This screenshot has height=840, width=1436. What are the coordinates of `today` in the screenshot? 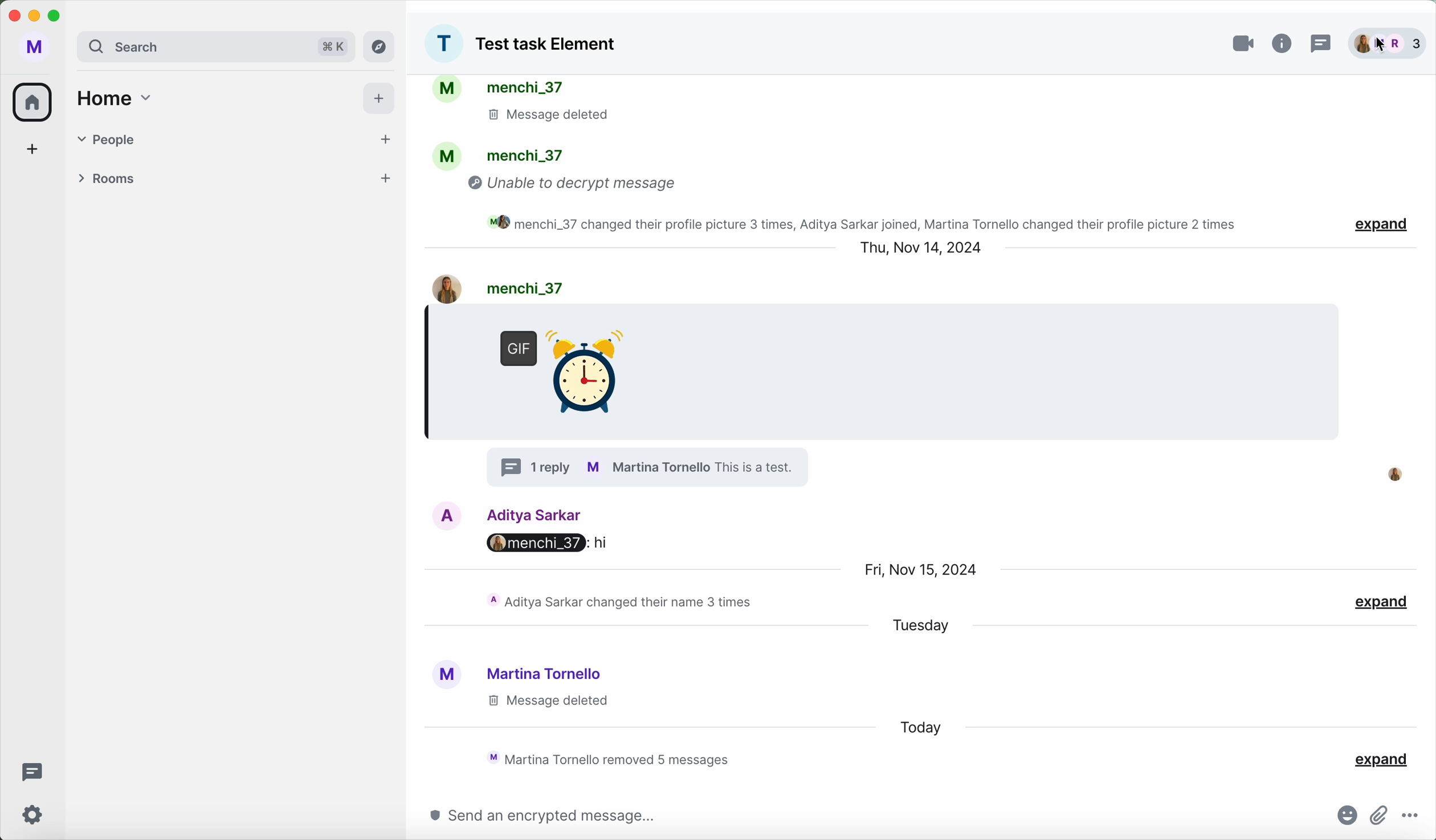 It's located at (921, 728).